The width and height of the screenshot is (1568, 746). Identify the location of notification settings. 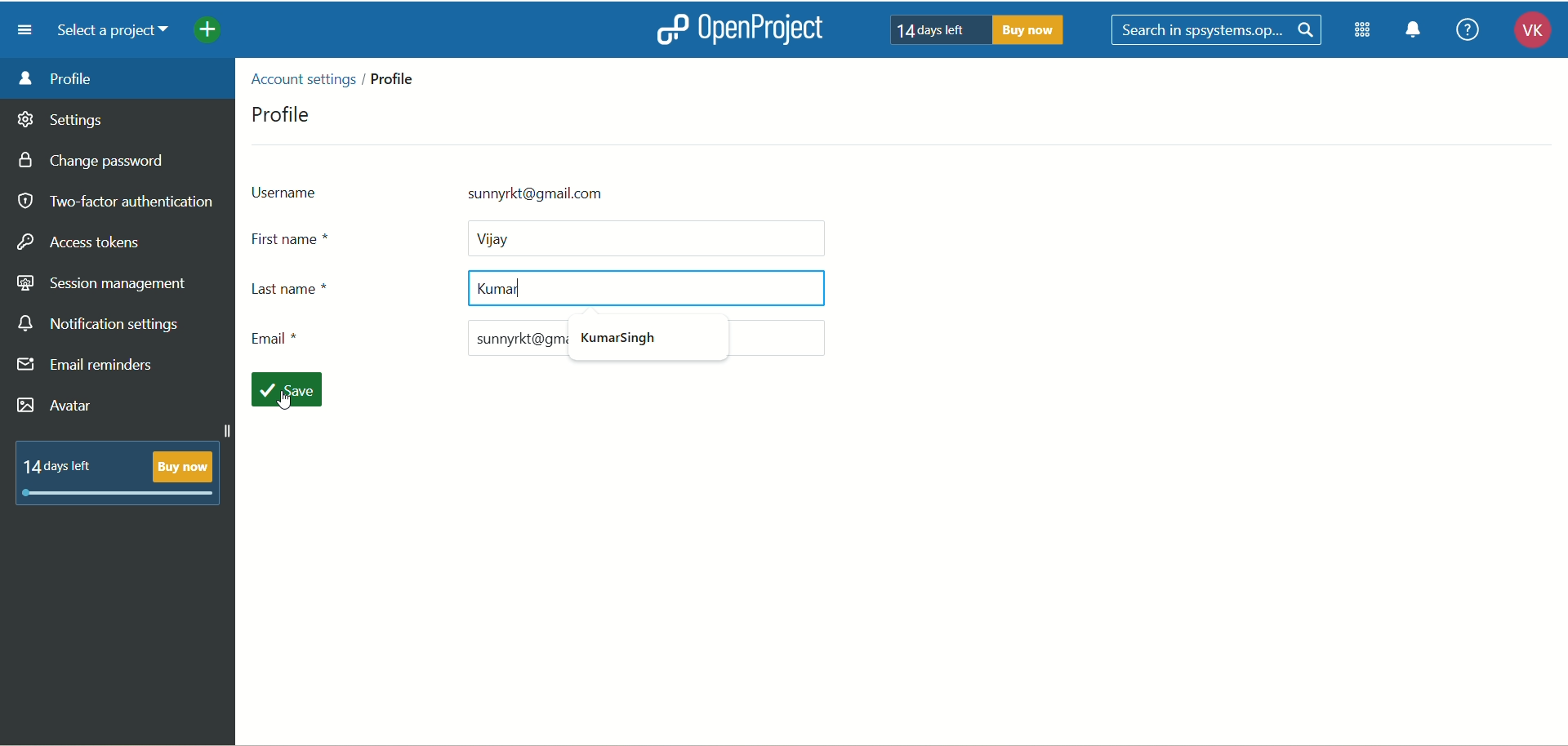
(100, 325).